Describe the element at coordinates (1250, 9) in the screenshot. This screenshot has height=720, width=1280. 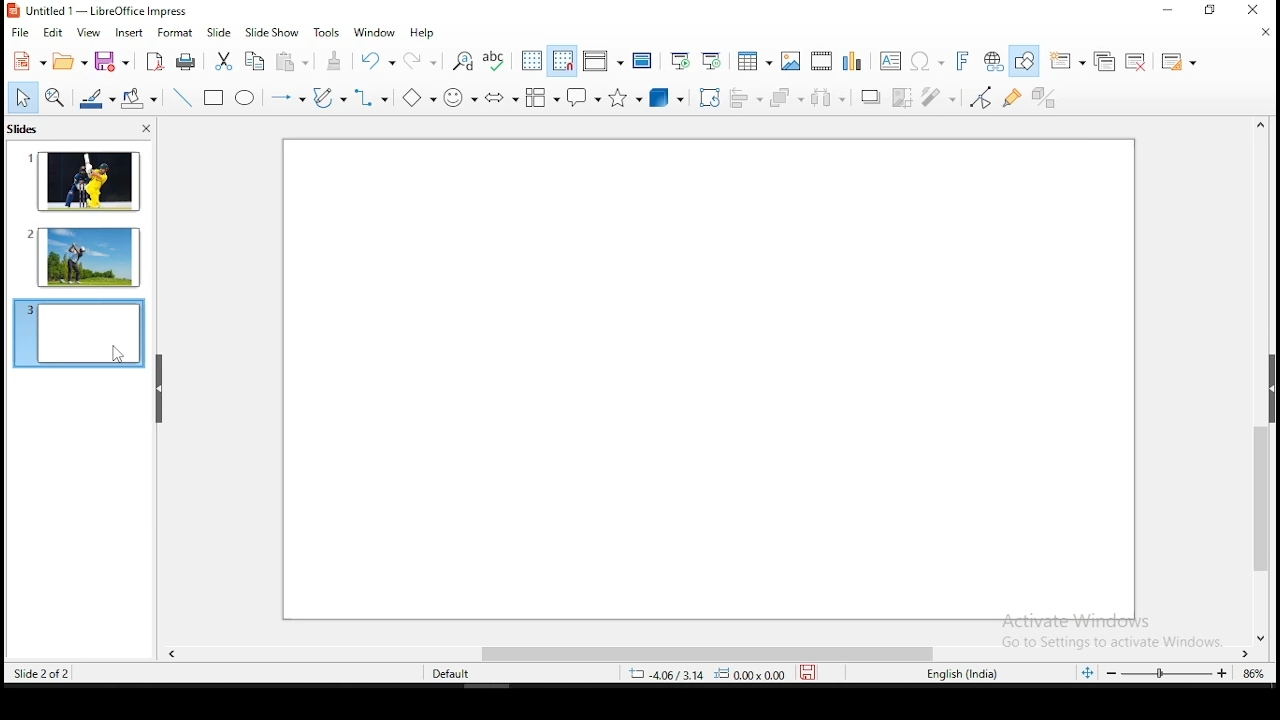
I see `close window` at that location.